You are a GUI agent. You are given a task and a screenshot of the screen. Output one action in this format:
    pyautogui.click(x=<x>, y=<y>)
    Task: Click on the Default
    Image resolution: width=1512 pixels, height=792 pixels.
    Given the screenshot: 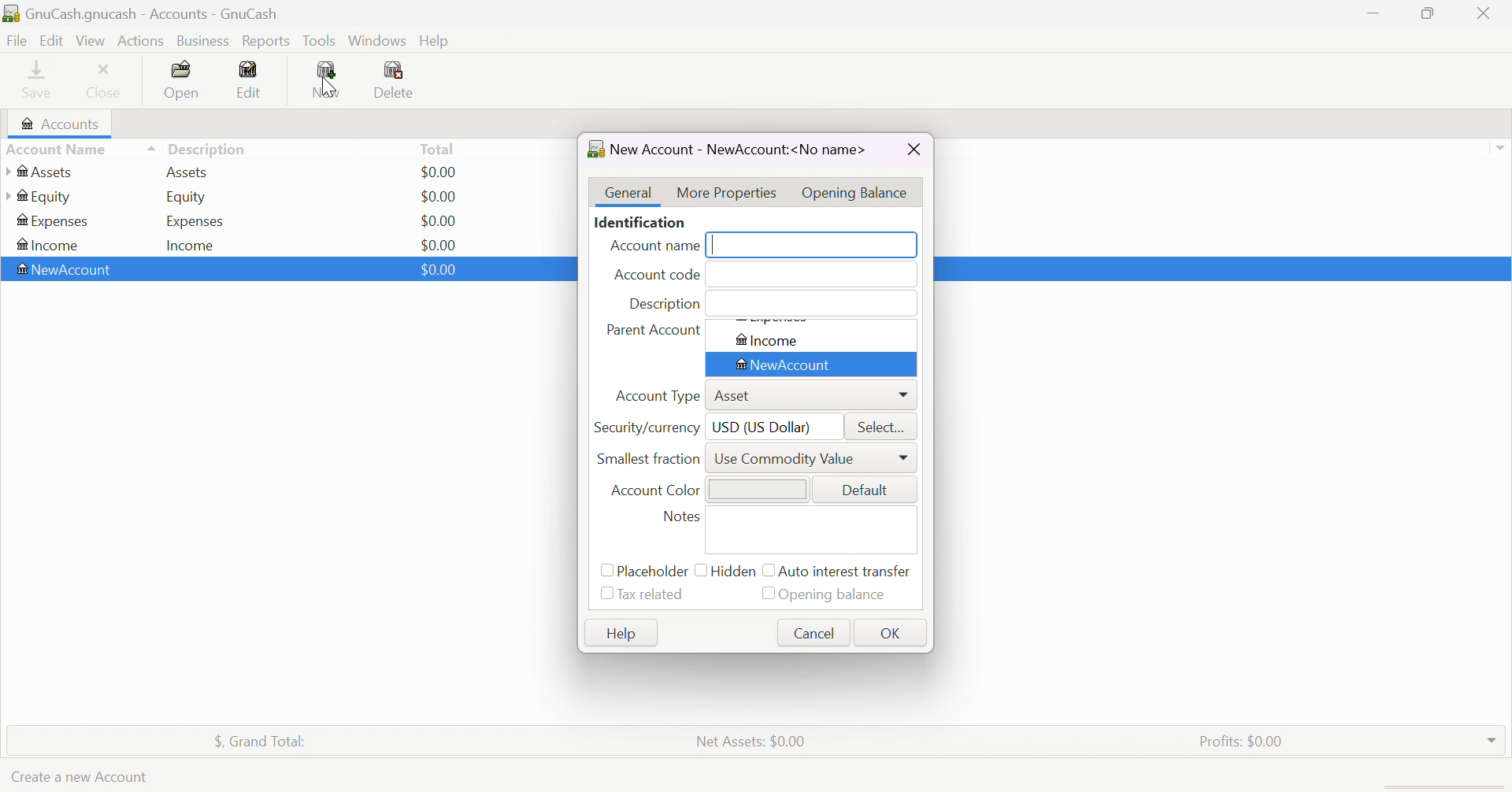 What is the action you would take?
    pyautogui.click(x=866, y=492)
    